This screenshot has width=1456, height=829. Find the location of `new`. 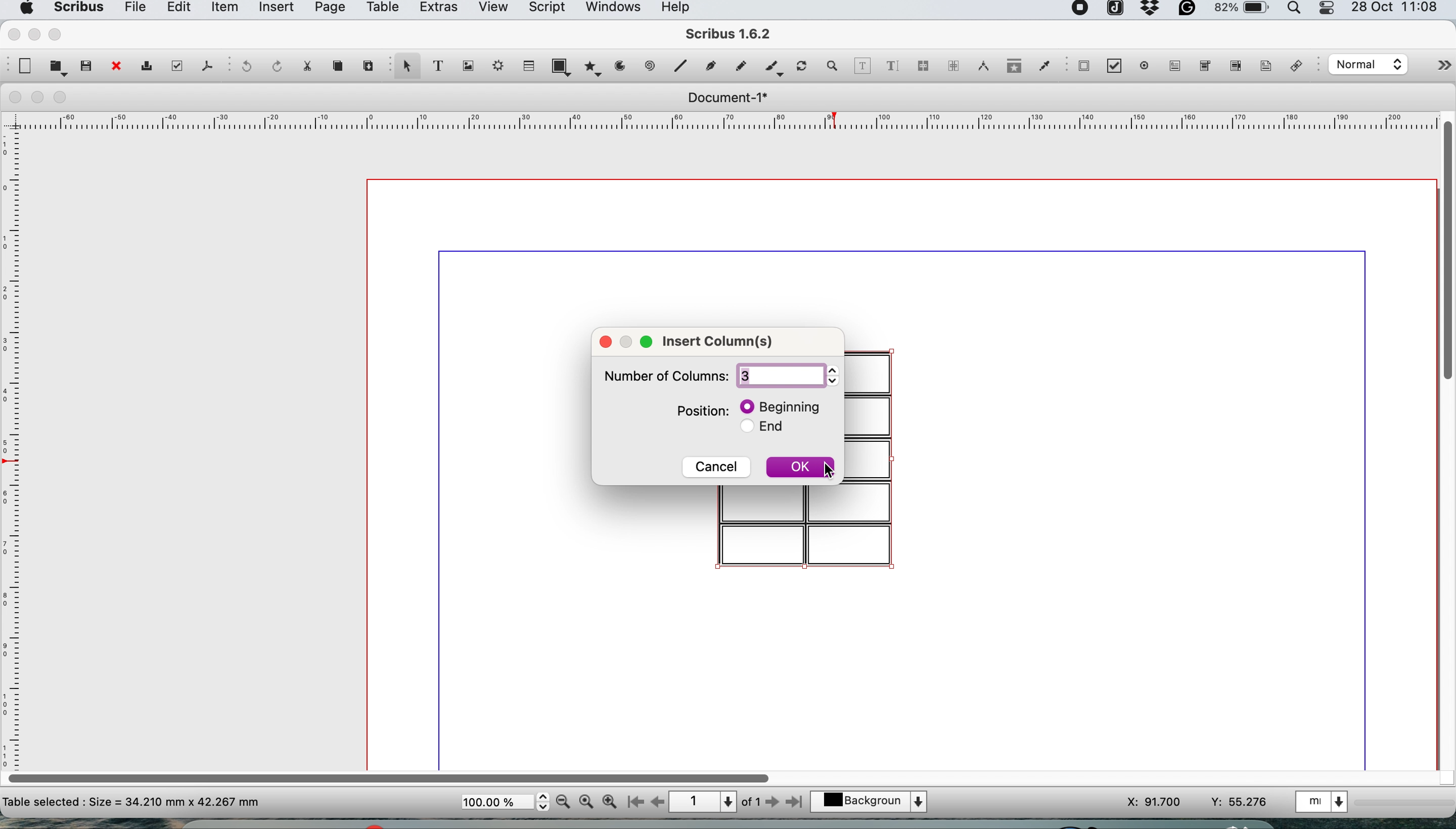

new is located at coordinates (23, 66).